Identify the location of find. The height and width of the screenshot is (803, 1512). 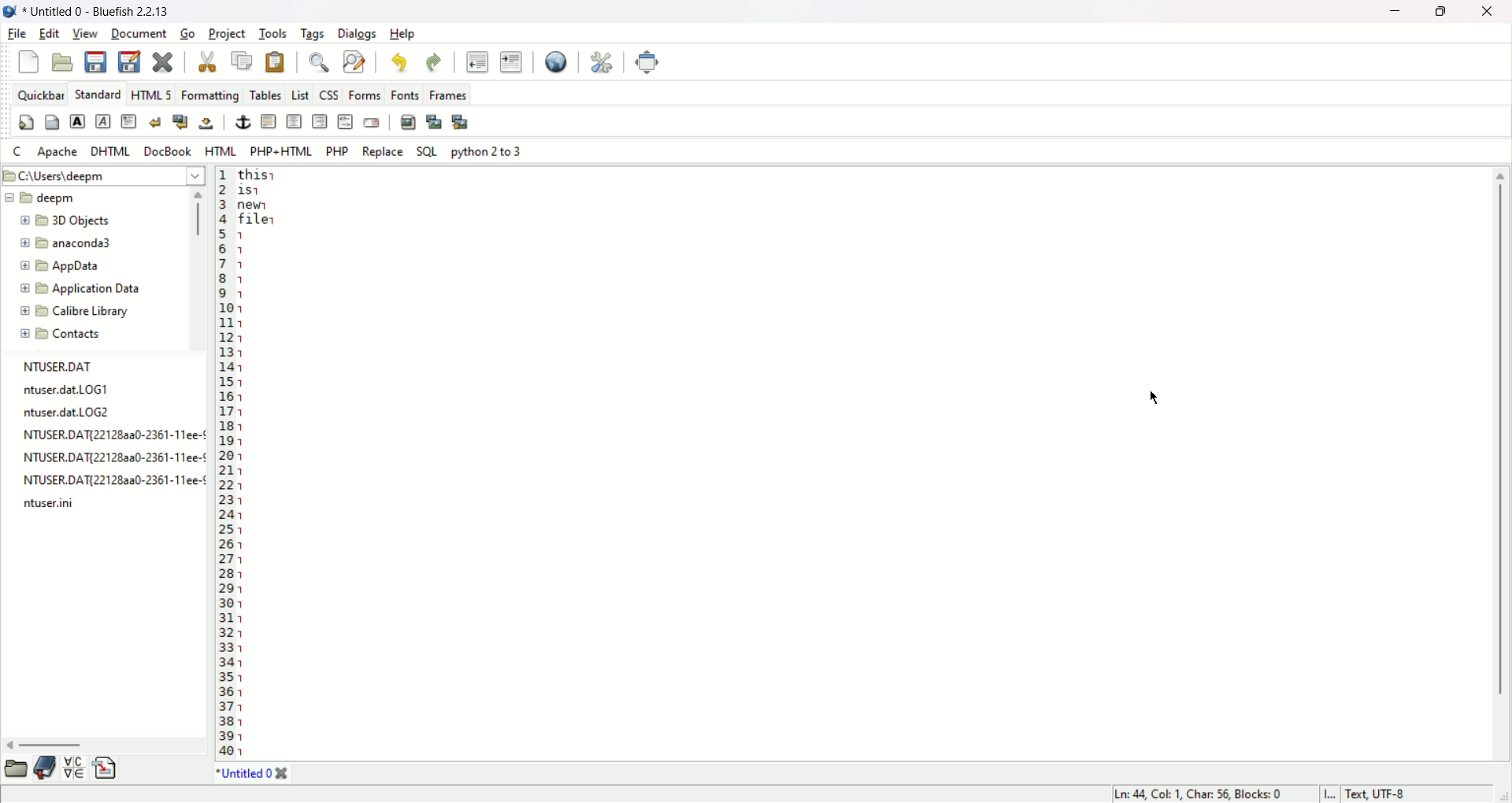
(316, 64).